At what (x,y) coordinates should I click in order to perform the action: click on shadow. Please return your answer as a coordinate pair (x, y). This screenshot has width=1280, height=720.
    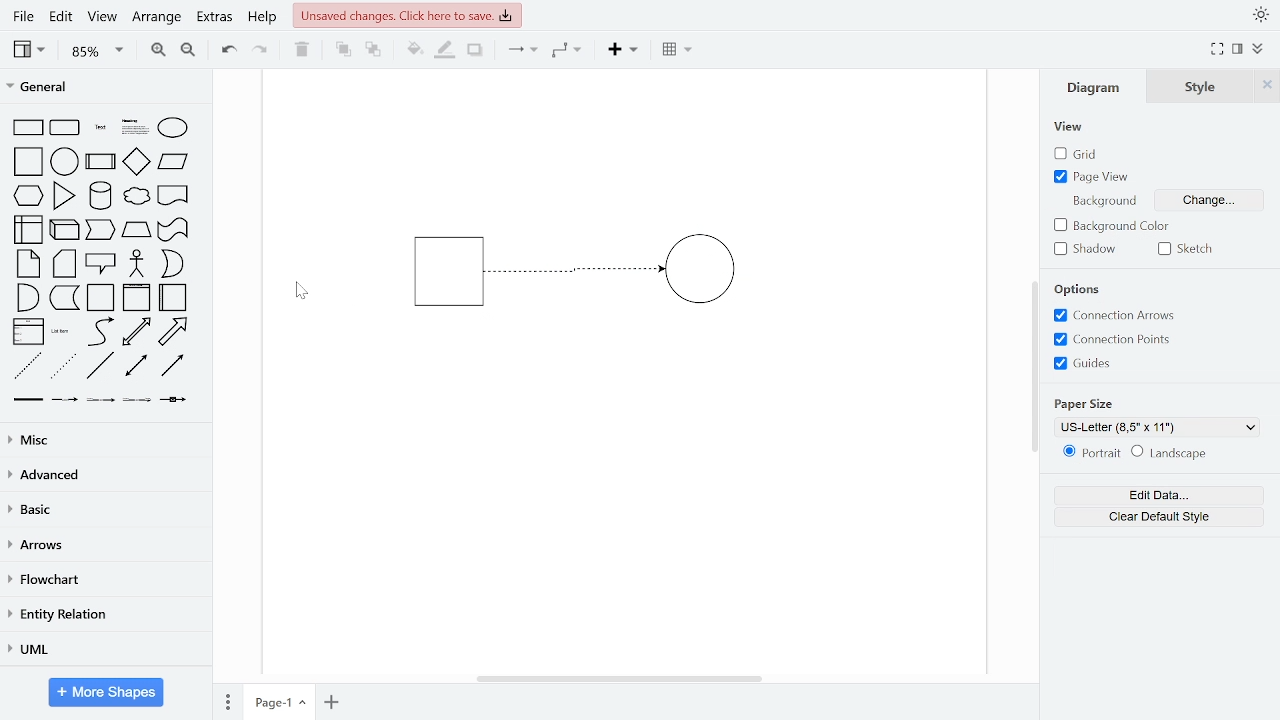
    Looking at the image, I should click on (476, 51).